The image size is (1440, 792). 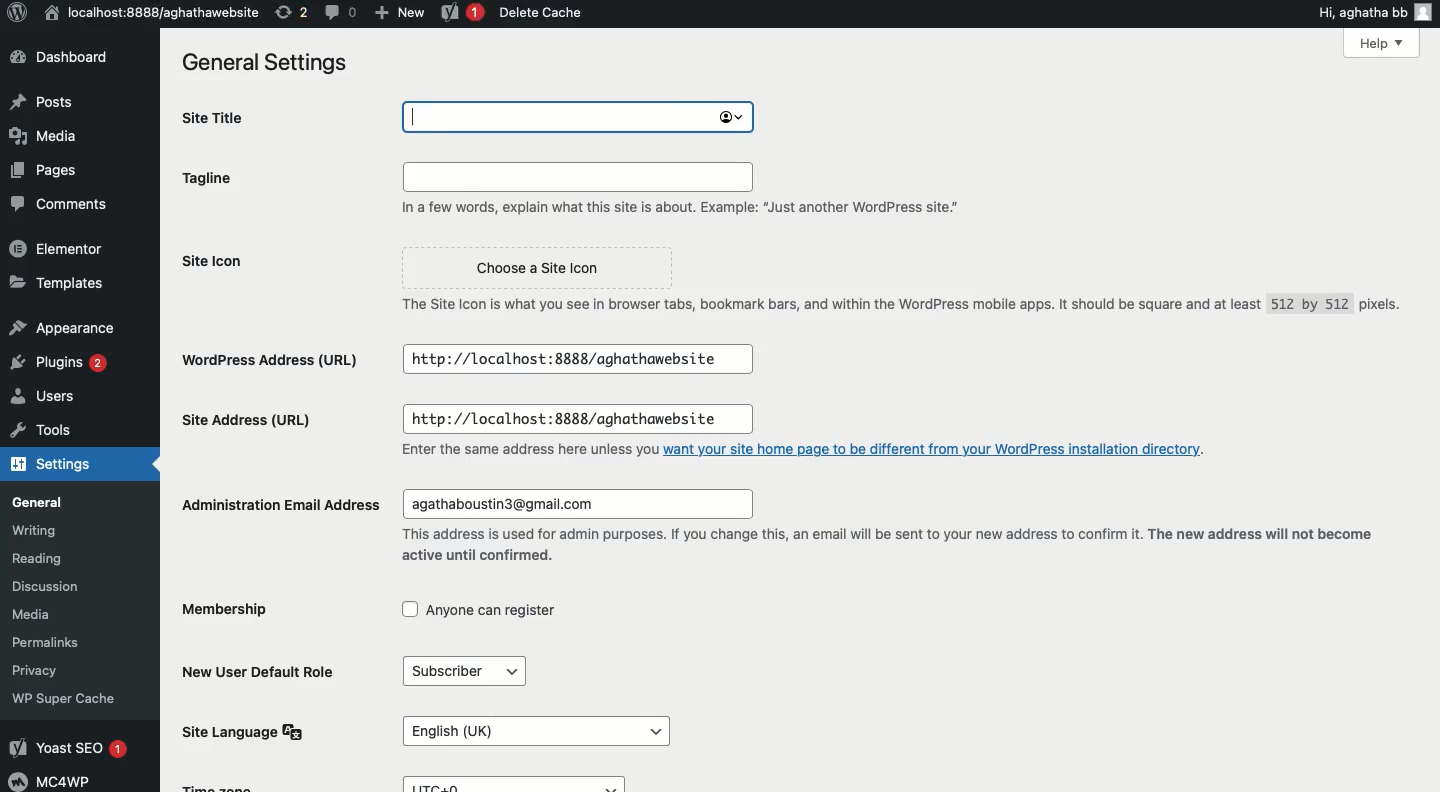 What do you see at coordinates (263, 670) in the screenshot?
I see `New user default role` at bounding box center [263, 670].